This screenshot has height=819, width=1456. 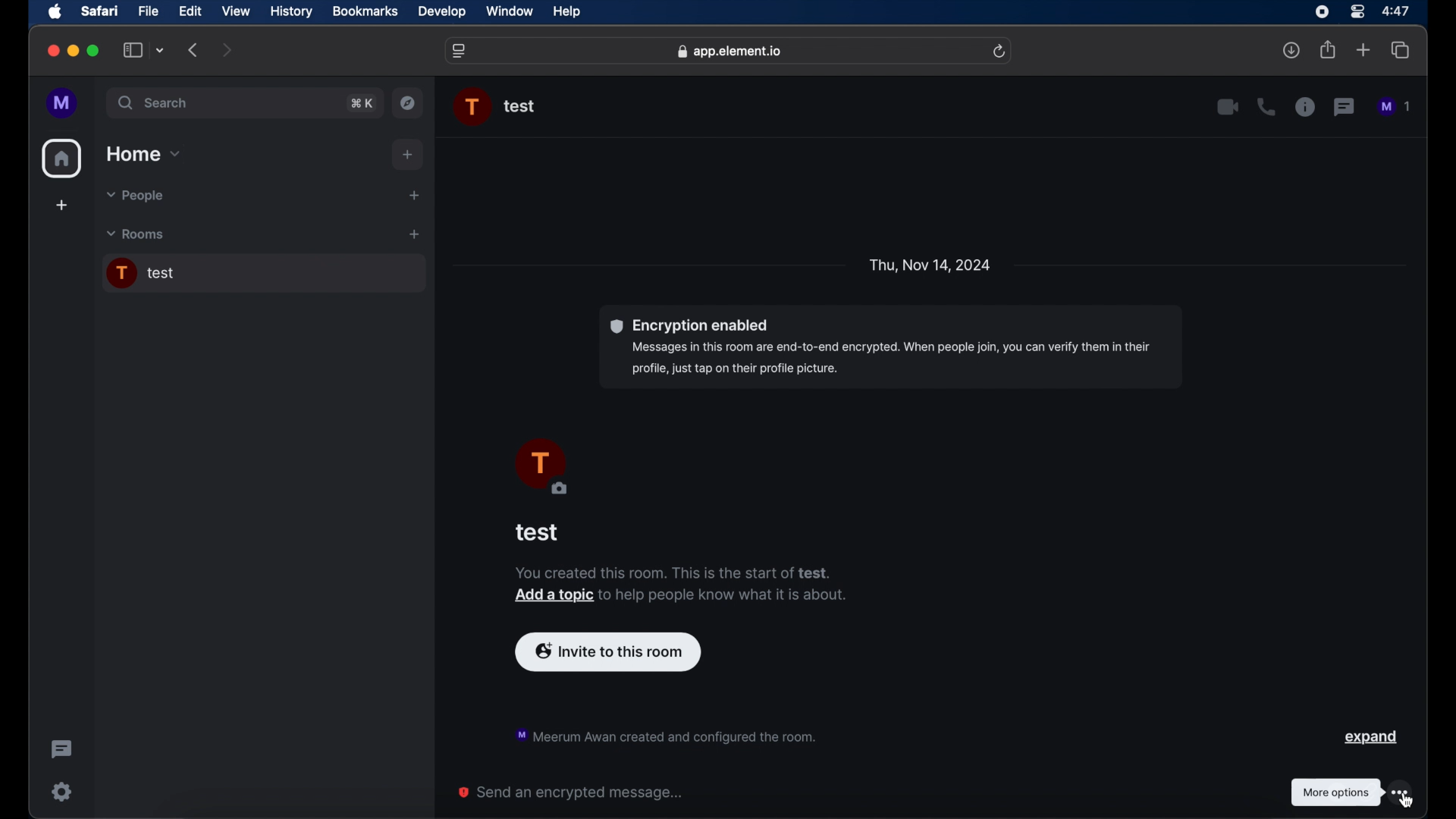 What do you see at coordinates (145, 154) in the screenshot?
I see `home dropdown` at bounding box center [145, 154].